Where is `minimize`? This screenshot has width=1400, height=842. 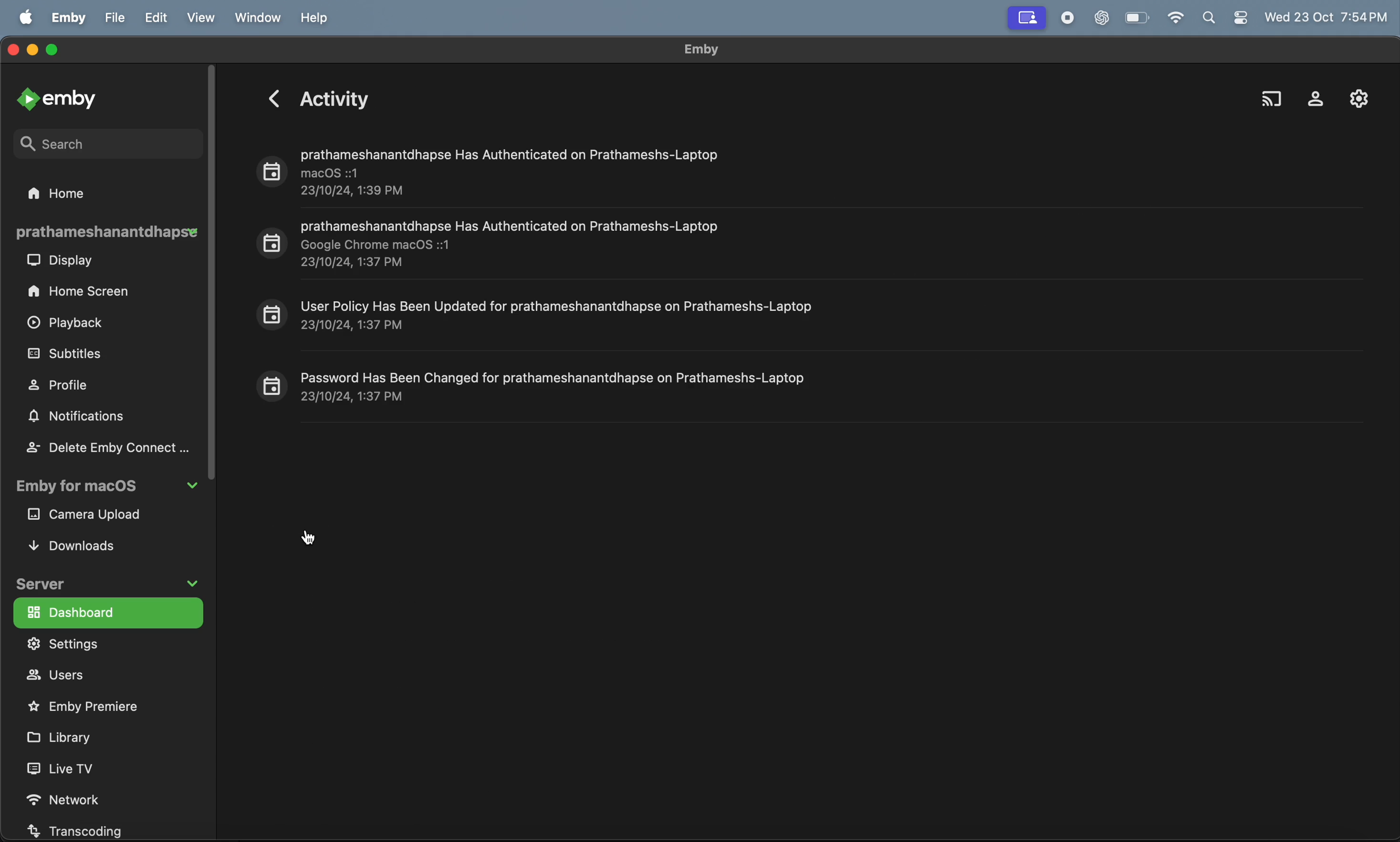
minimize is located at coordinates (35, 52).